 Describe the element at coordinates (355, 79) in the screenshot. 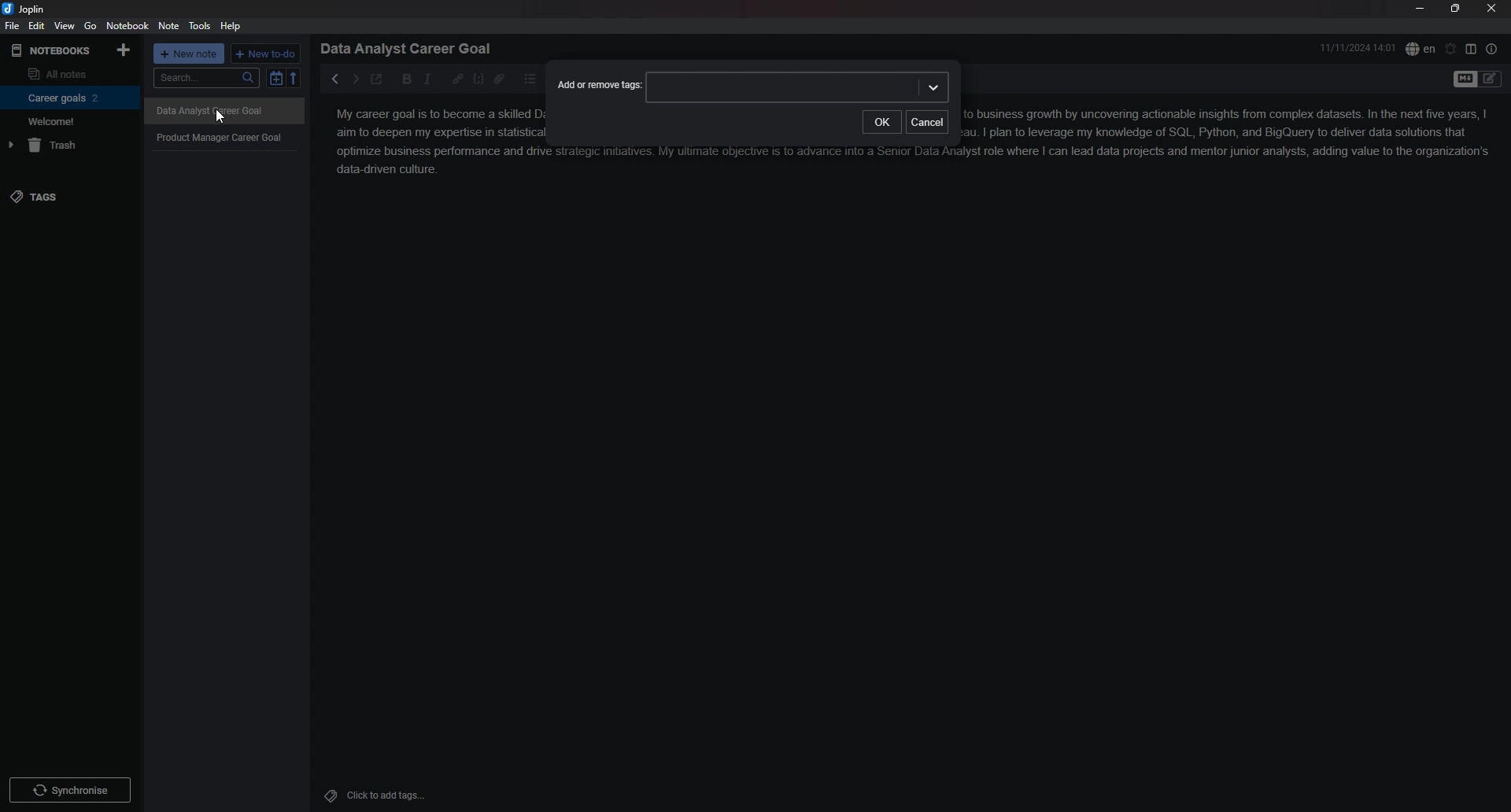

I see `next` at that location.